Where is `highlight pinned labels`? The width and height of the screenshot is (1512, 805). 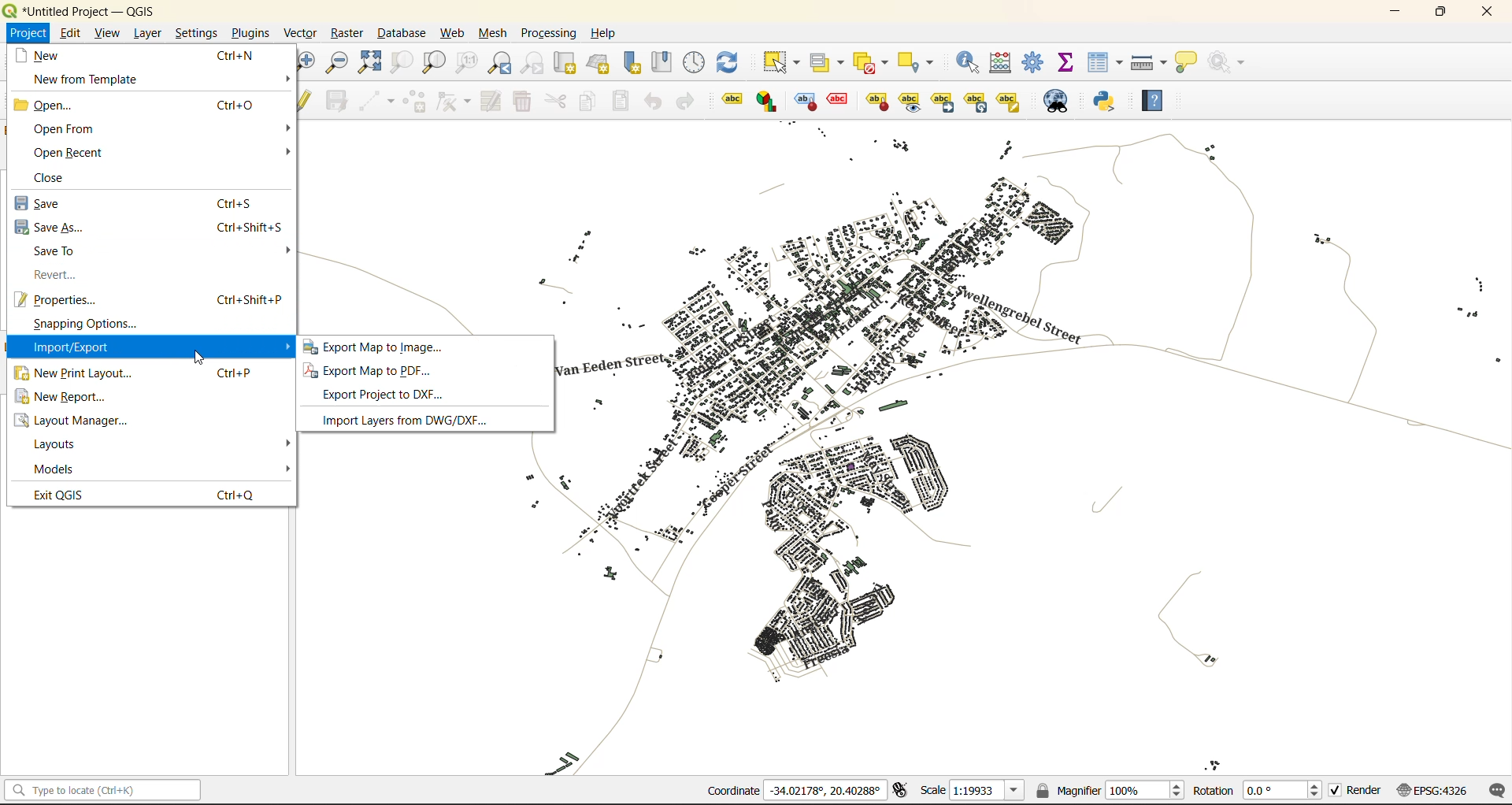
highlight pinned labels is located at coordinates (731, 101).